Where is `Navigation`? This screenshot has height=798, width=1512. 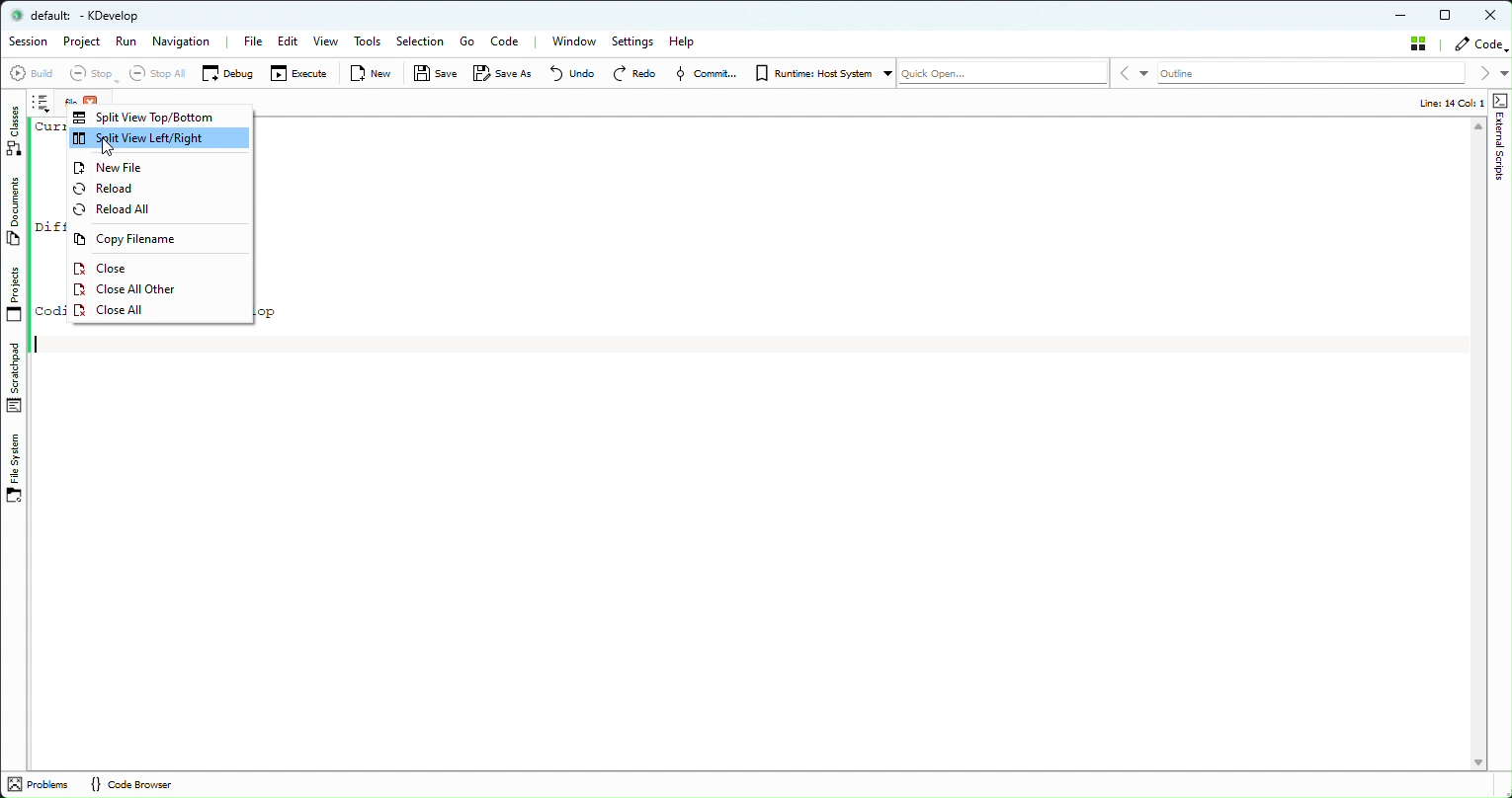
Navigation is located at coordinates (190, 42).